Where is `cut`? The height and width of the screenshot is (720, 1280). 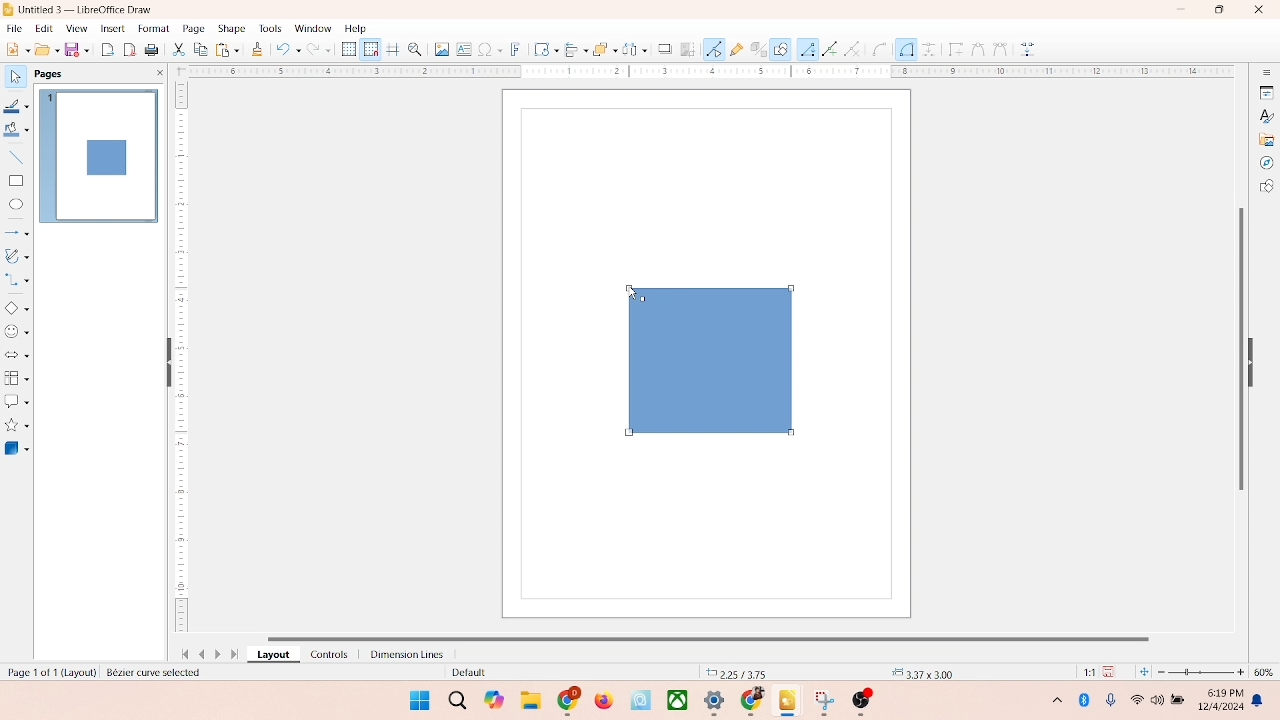 cut is located at coordinates (179, 51).